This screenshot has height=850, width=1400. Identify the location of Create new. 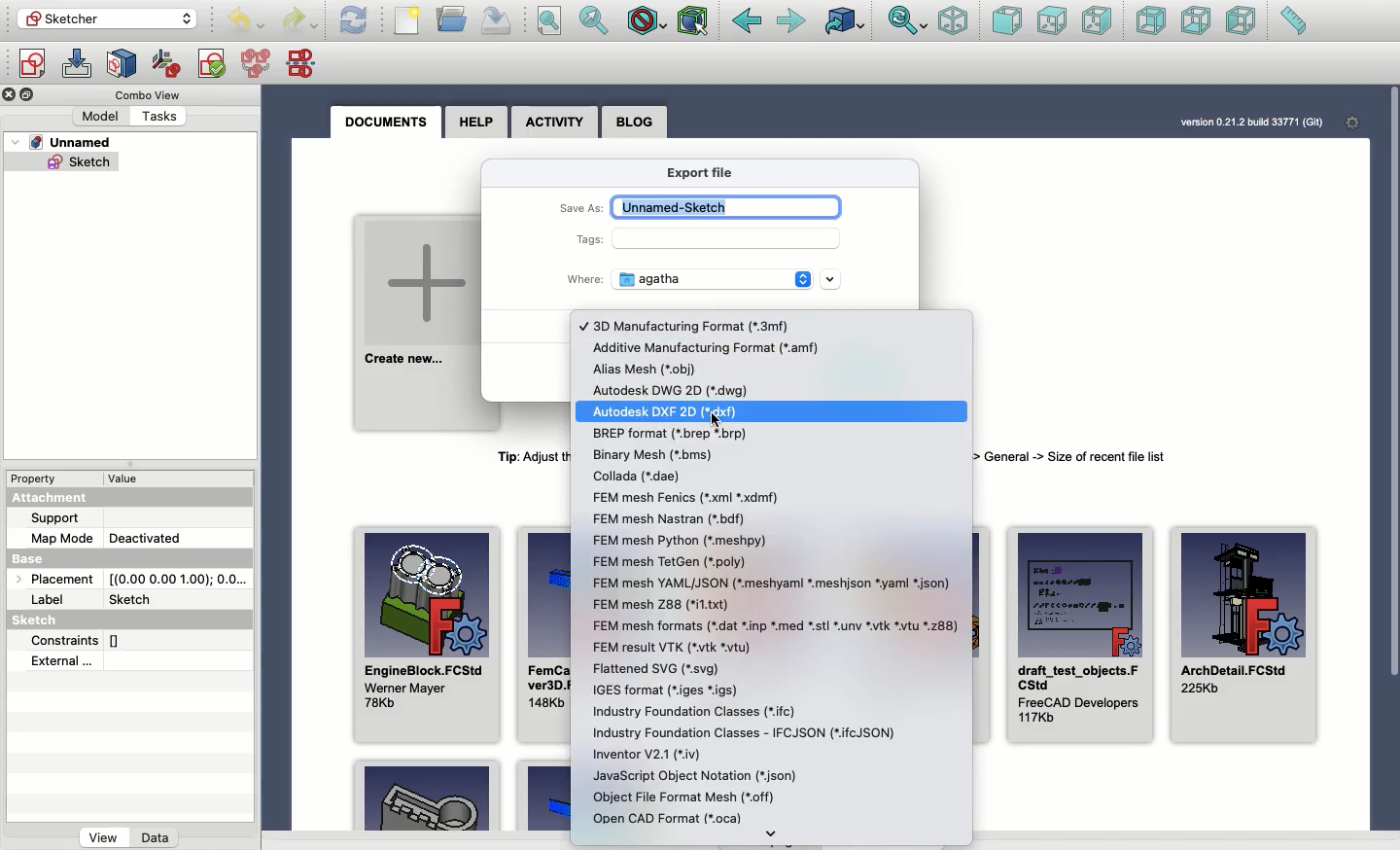
(416, 322).